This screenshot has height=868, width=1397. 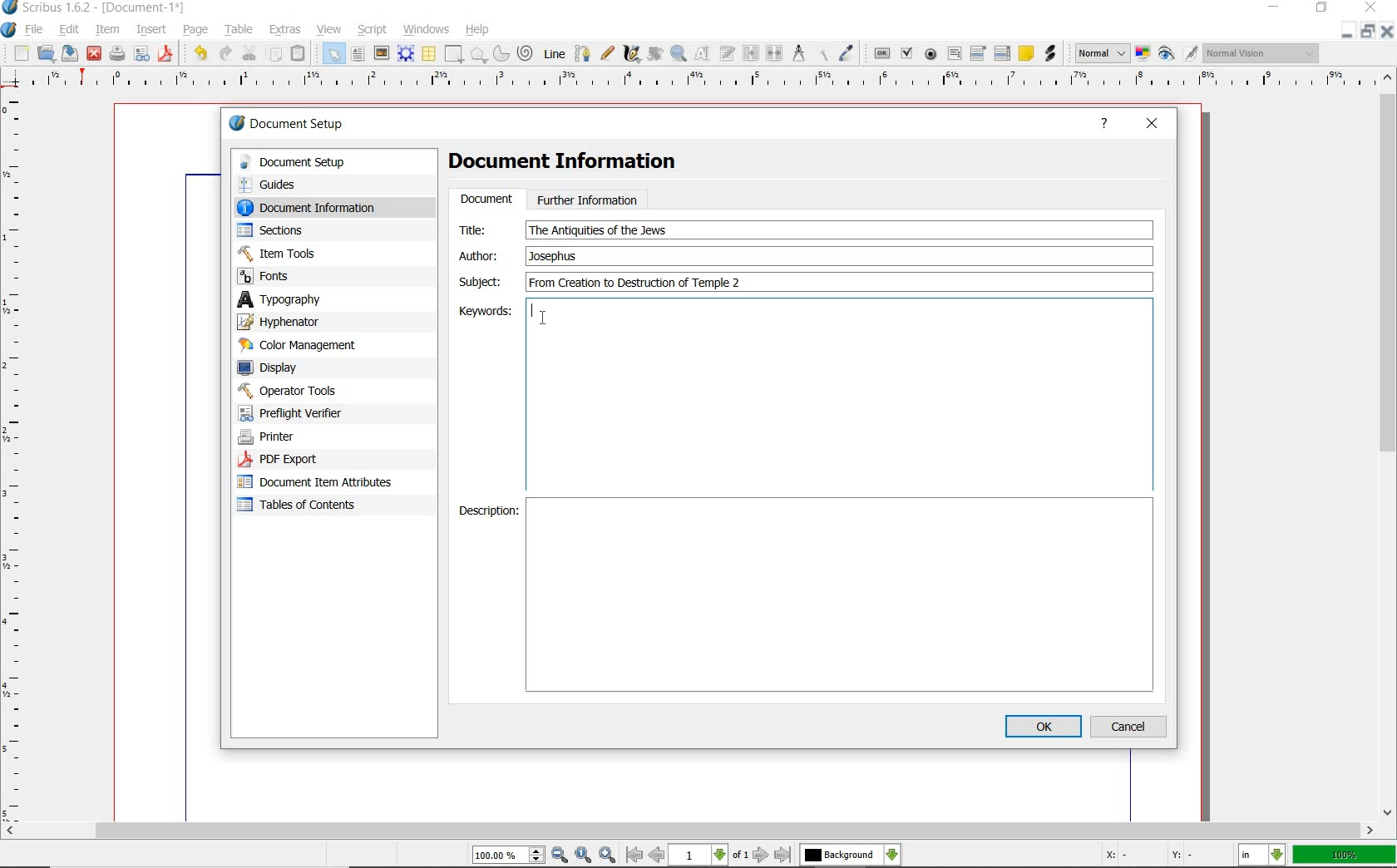 What do you see at coordinates (321, 484) in the screenshot?
I see `document item attributes` at bounding box center [321, 484].